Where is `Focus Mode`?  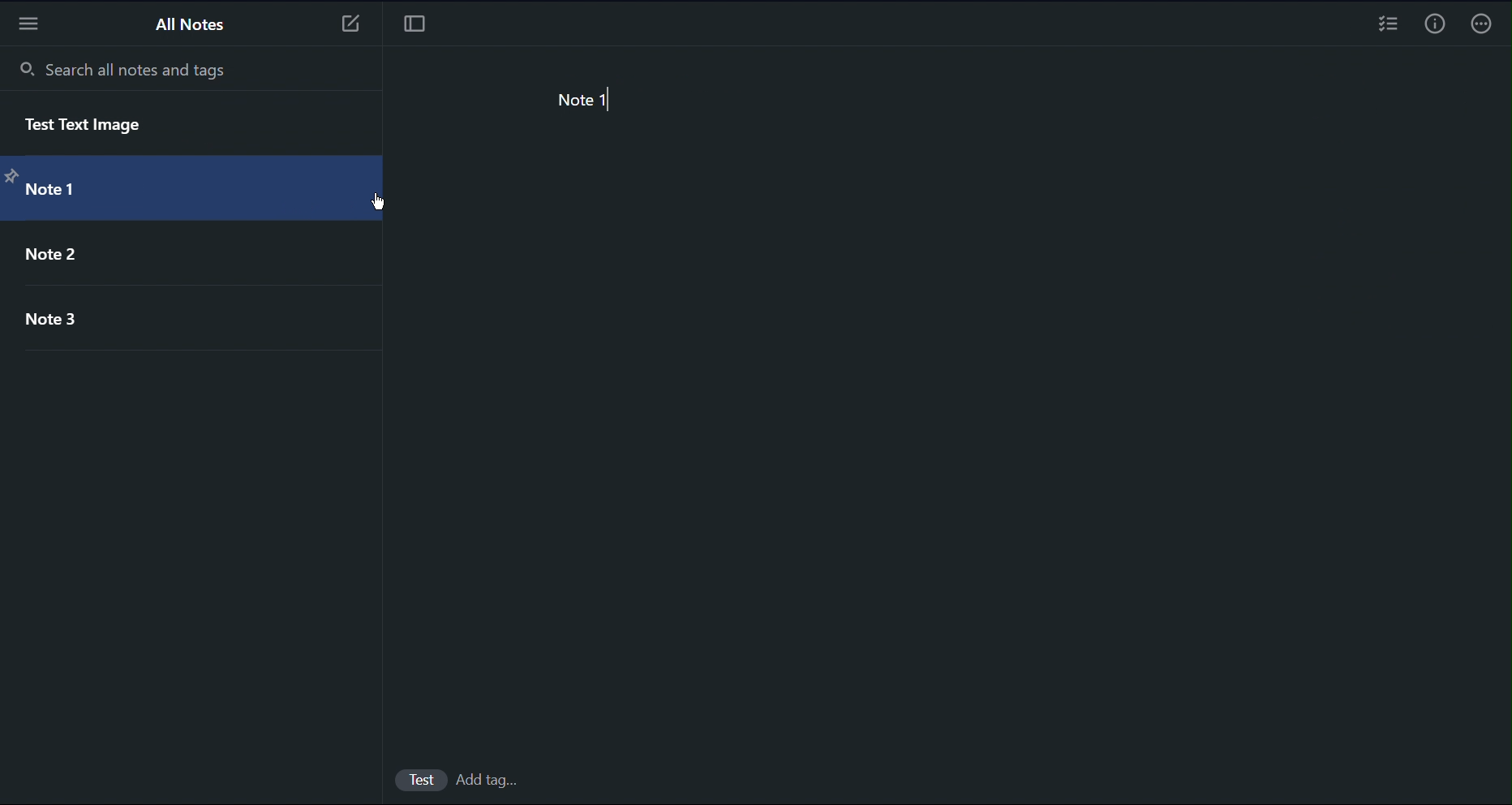
Focus Mode is located at coordinates (415, 28).